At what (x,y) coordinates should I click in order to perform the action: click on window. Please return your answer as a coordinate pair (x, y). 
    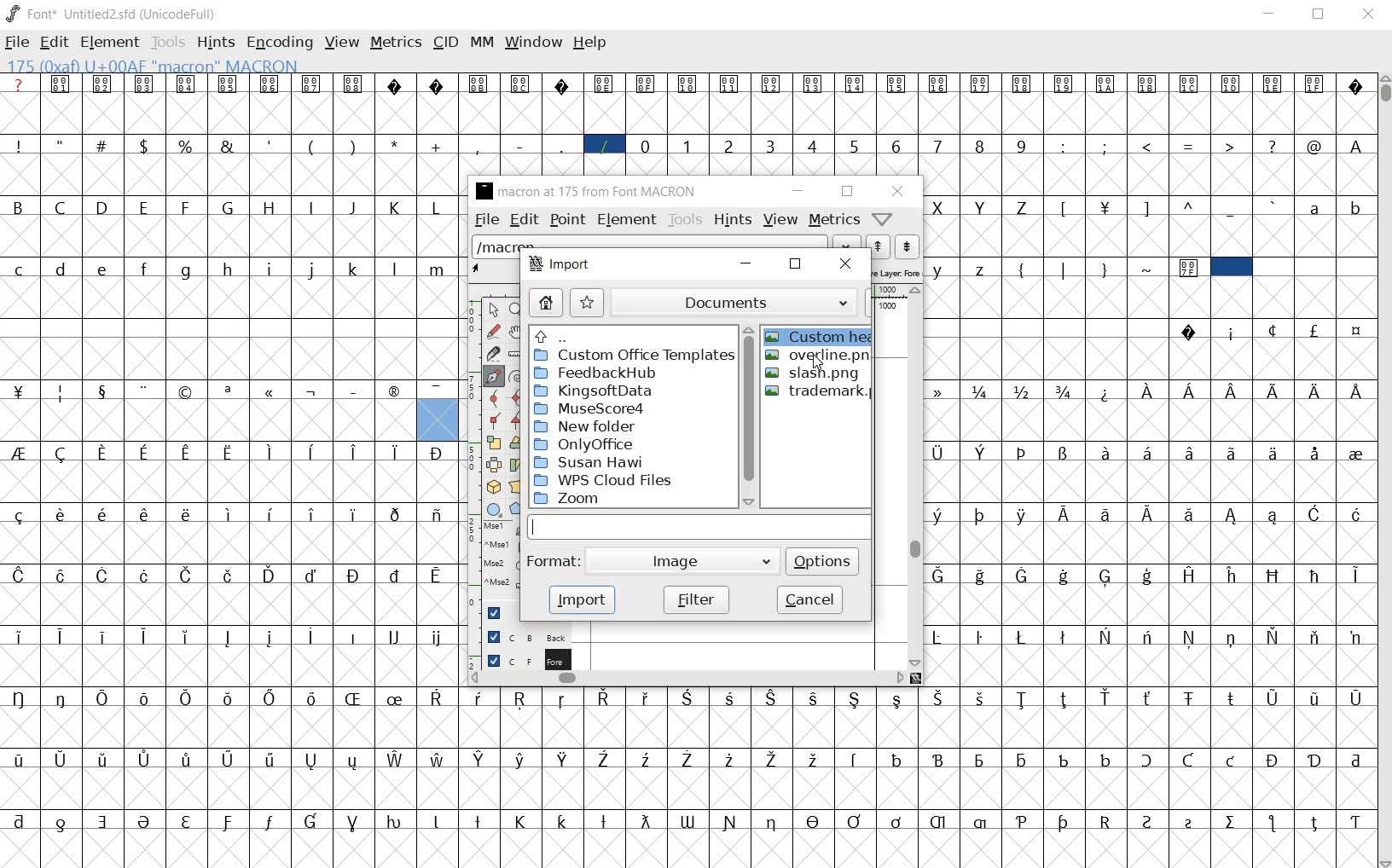
    Looking at the image, I should click on (533, 43).